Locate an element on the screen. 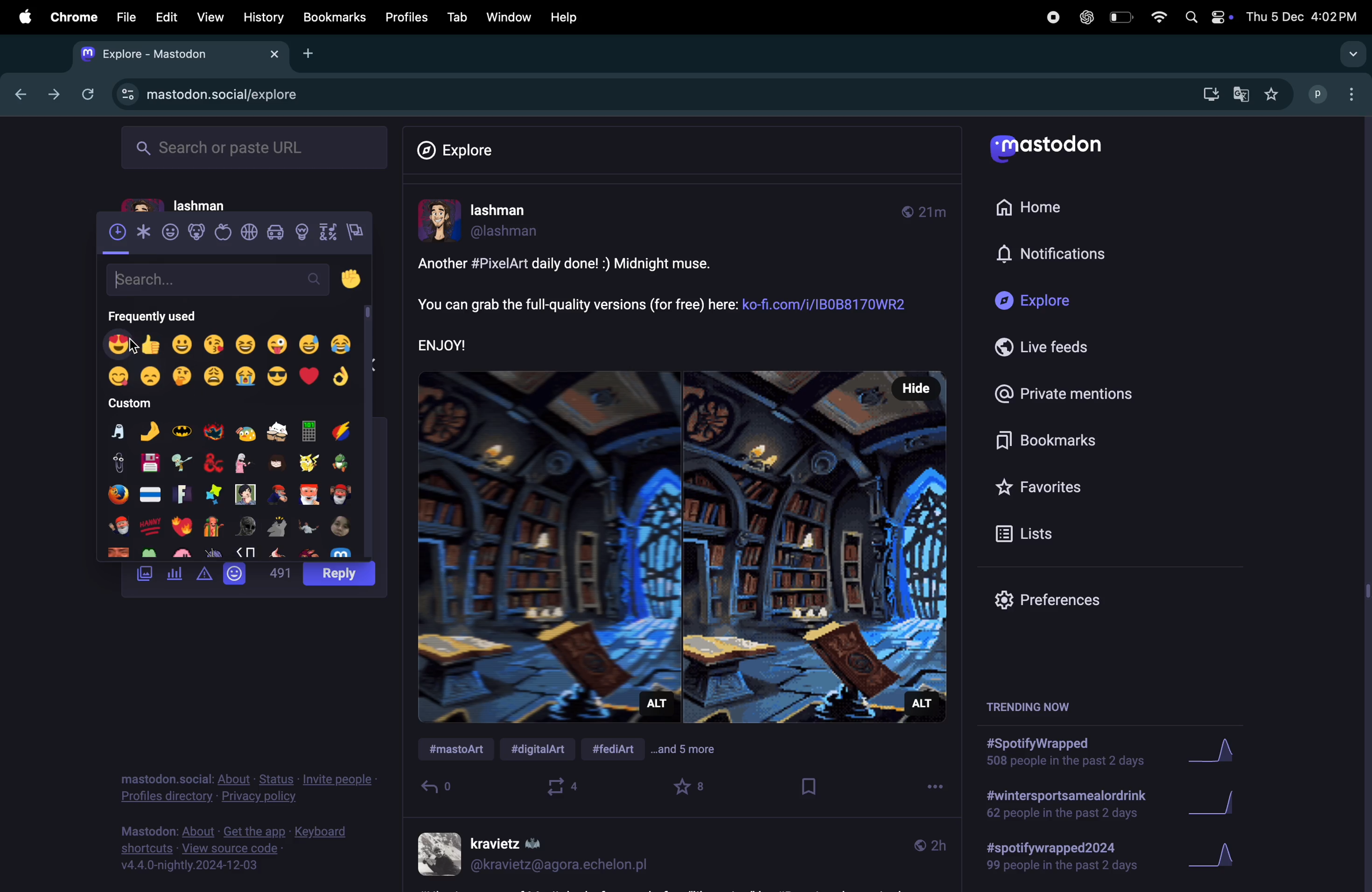 Image resolution: width=1372 pixels, height=892 pixels. mastdon tab is located at coordinates (186, 55).